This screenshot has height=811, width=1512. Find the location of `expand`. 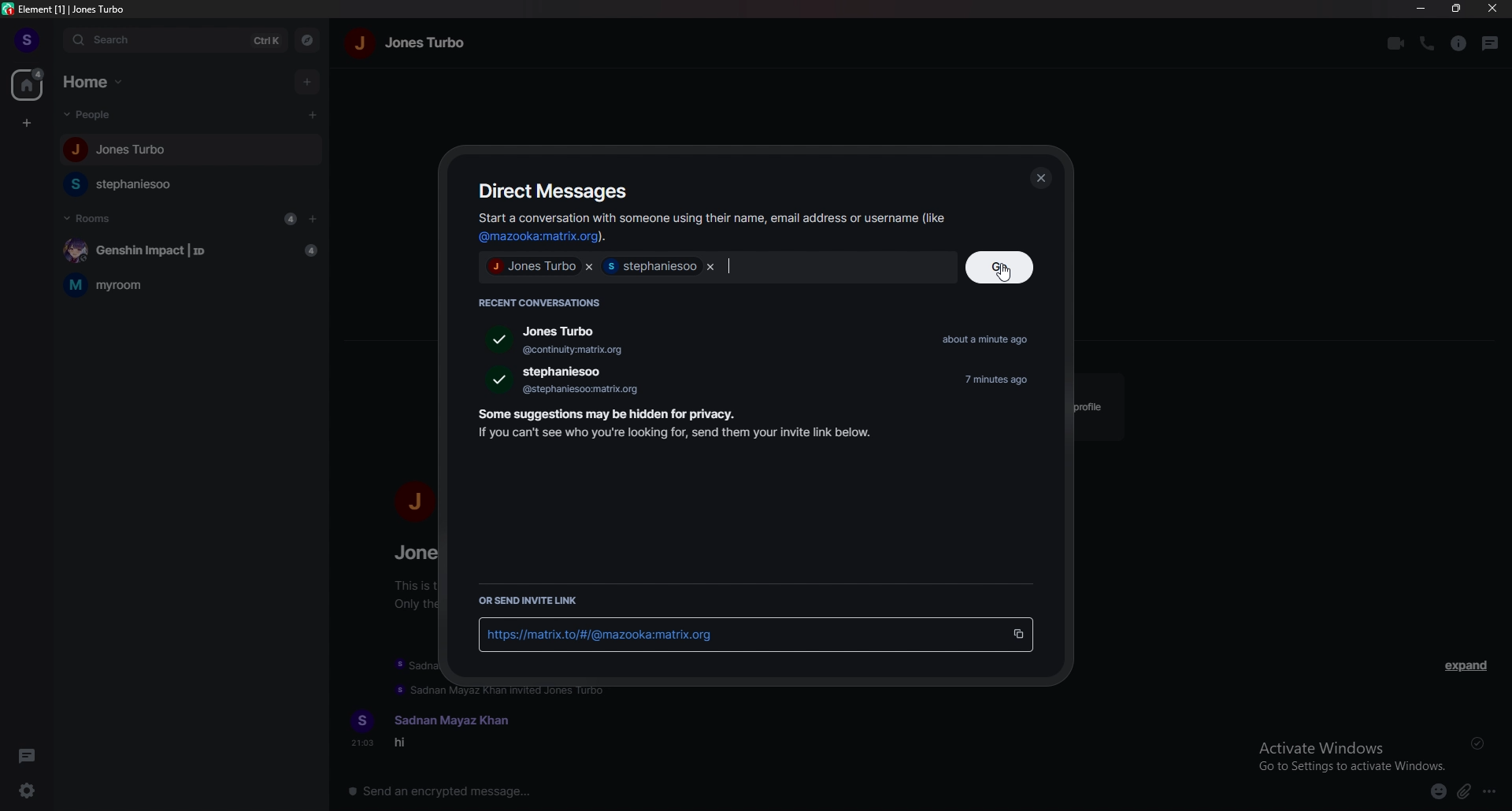

expand is located at coordinates (1468, 668).